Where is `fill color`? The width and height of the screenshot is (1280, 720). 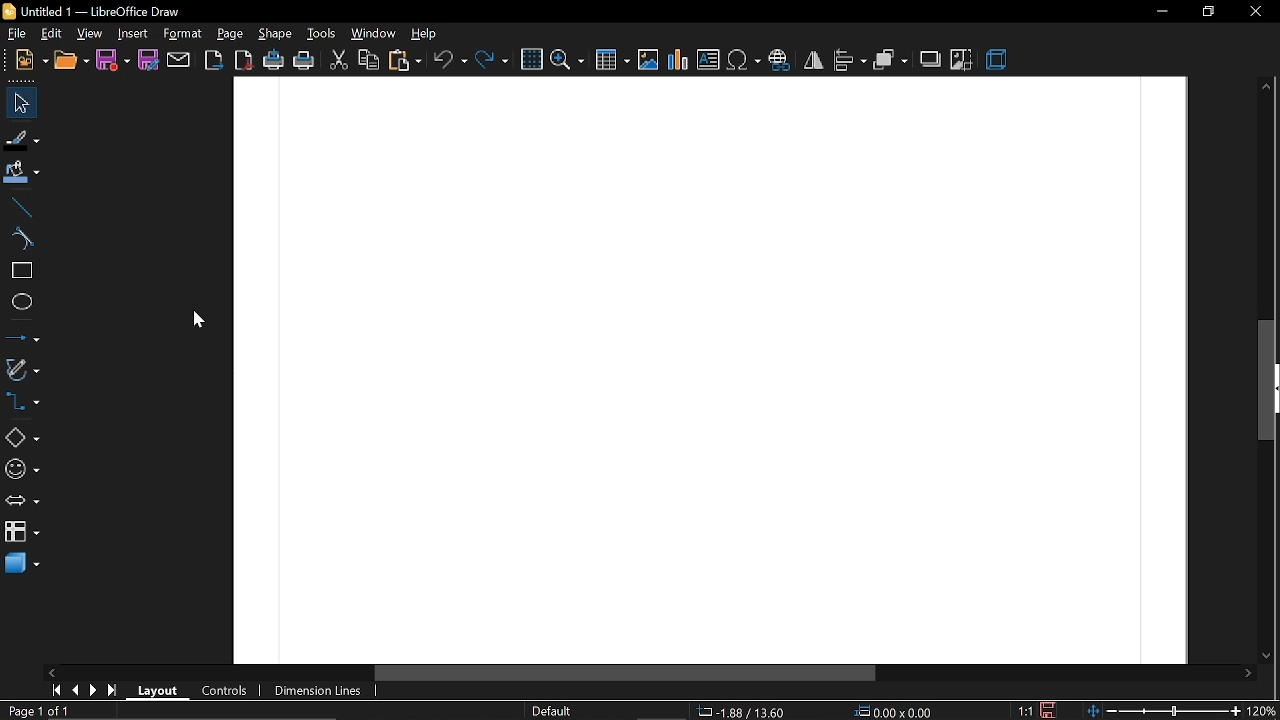
fill color is located at coordinates (19, 173).